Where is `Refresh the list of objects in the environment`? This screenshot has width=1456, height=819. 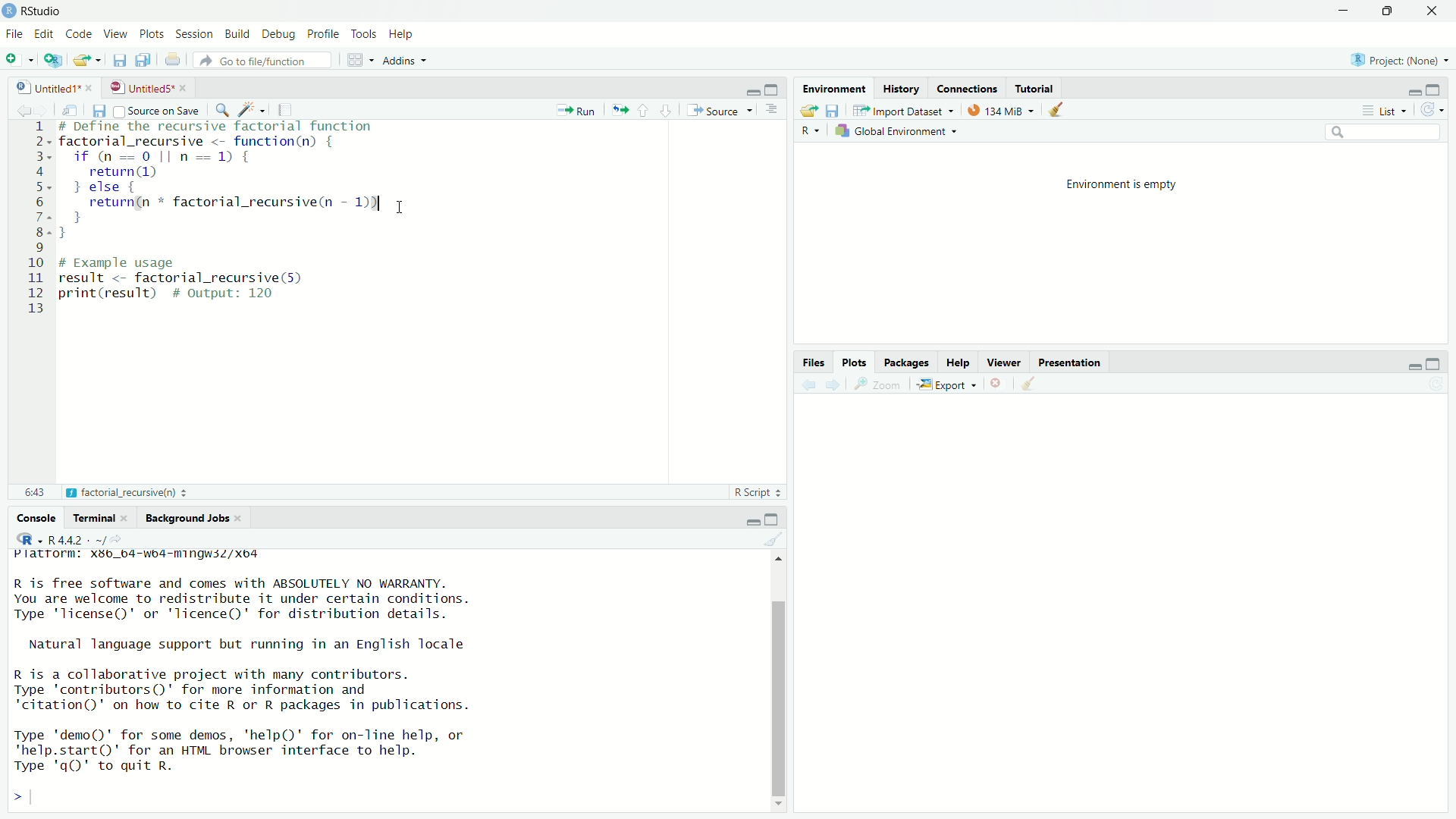 Refresh the list of objects in the environment is located at coordinates (1432, 111).